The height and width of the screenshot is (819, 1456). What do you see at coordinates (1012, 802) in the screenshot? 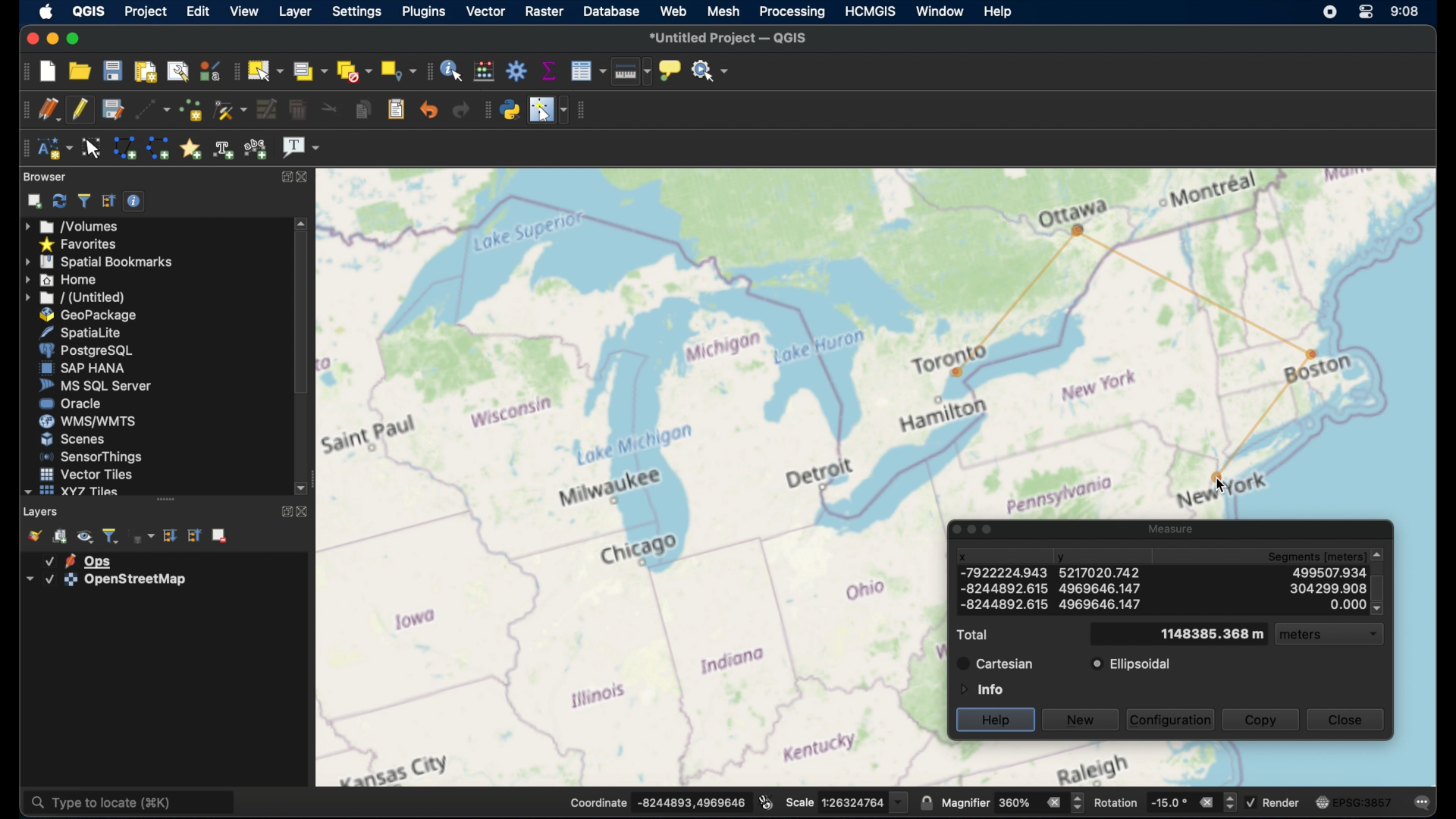
I see `magnifier` at bounding box center [1012, 802].